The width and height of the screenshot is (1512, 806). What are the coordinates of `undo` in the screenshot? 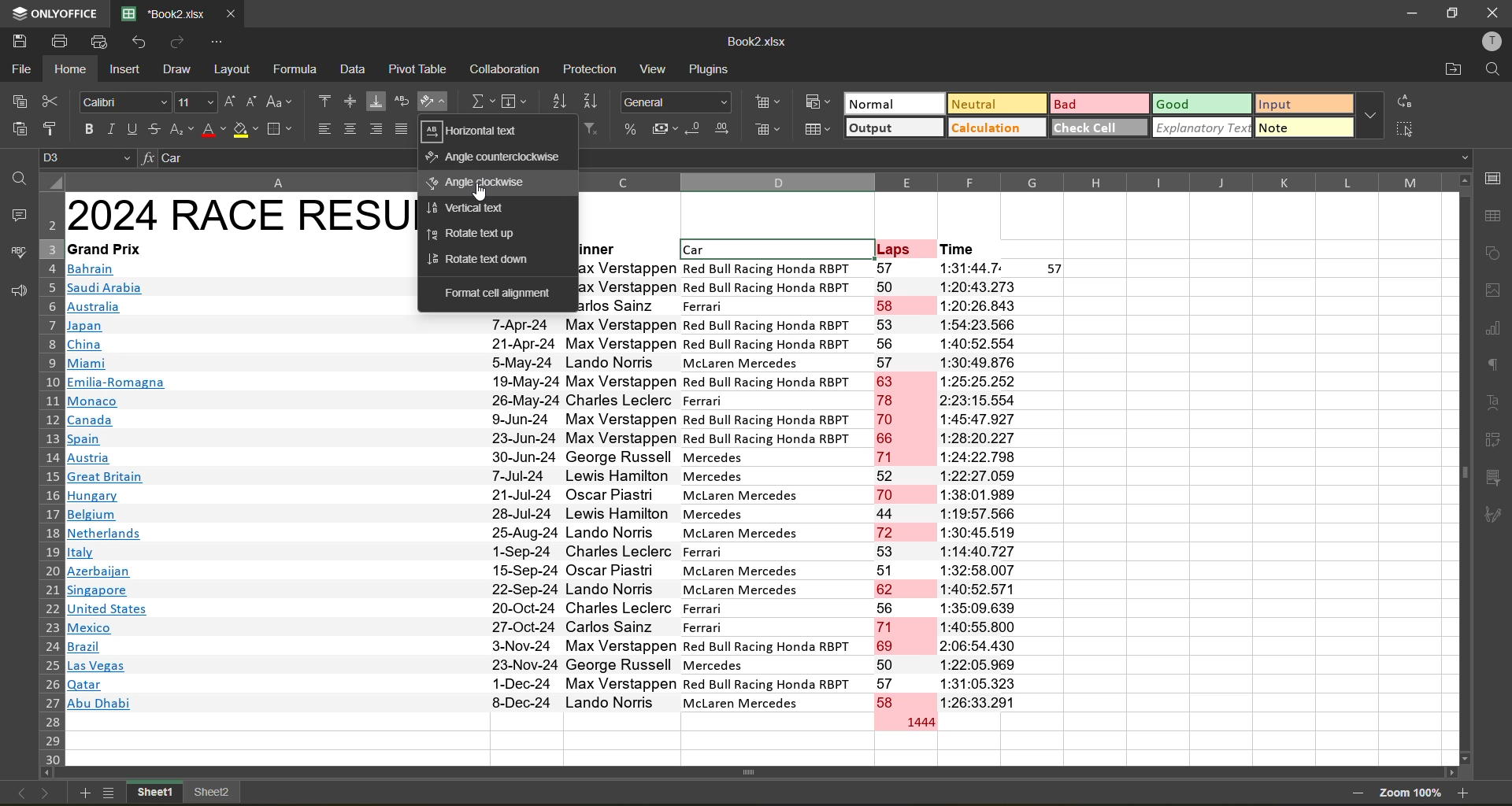 It's located at (141, 41).